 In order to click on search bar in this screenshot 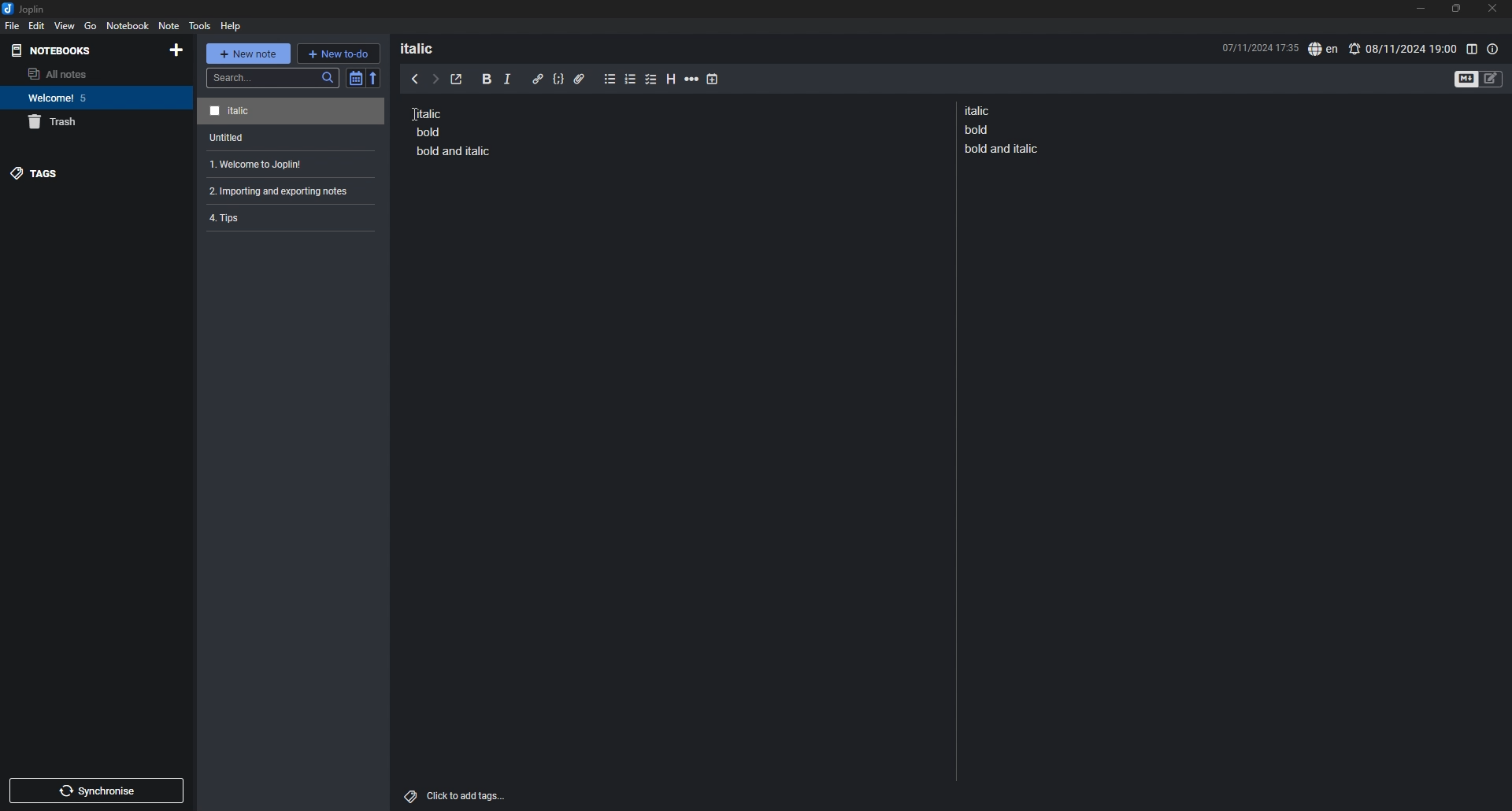, I will do `click(273, 78)`.